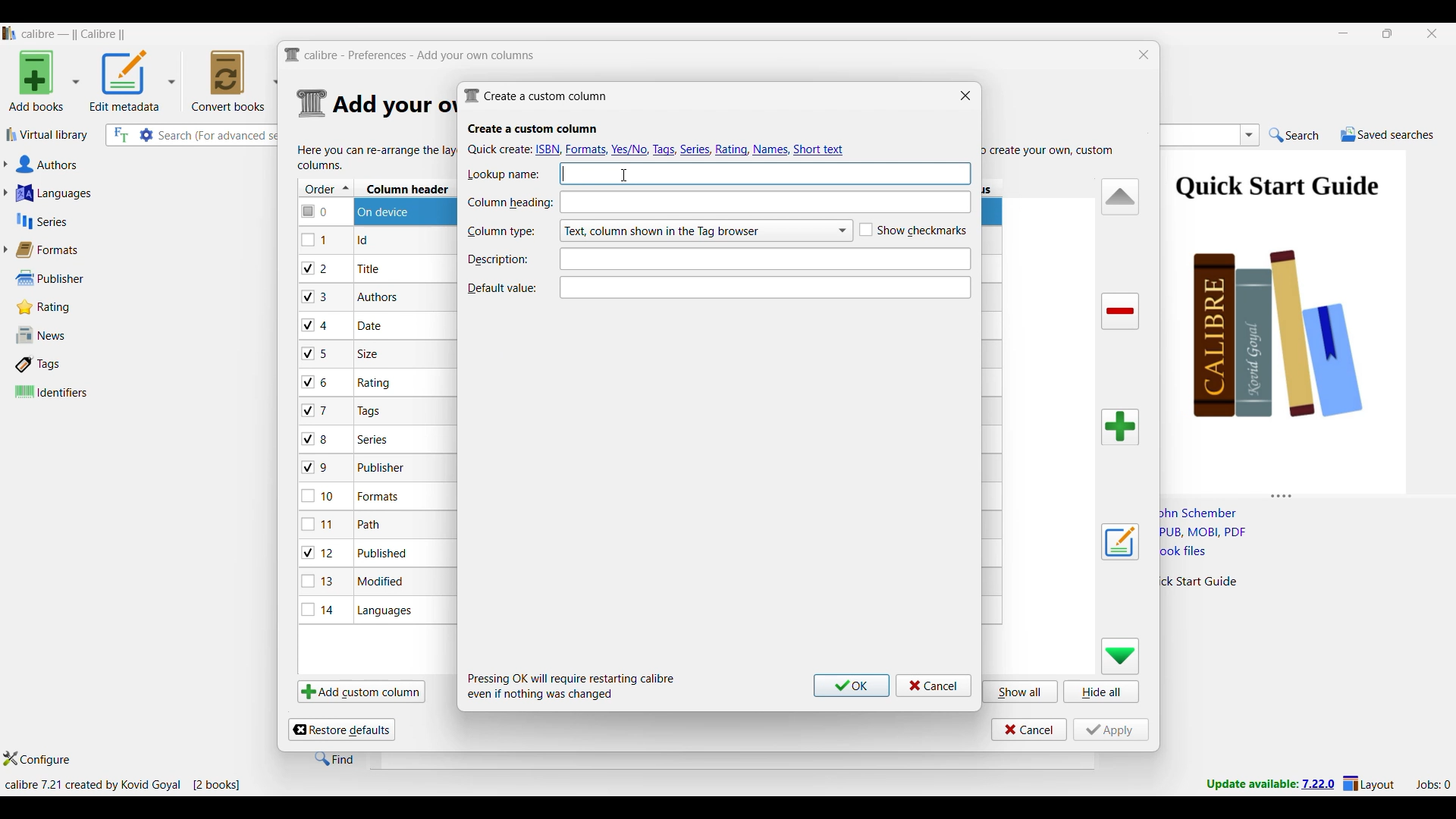 The height and width of the screenshot is (819, 1456). What do you see at coordinates (1270, 783) in the screenshot?
I see `New version update notifcation` at bounding box center [1270, 783].